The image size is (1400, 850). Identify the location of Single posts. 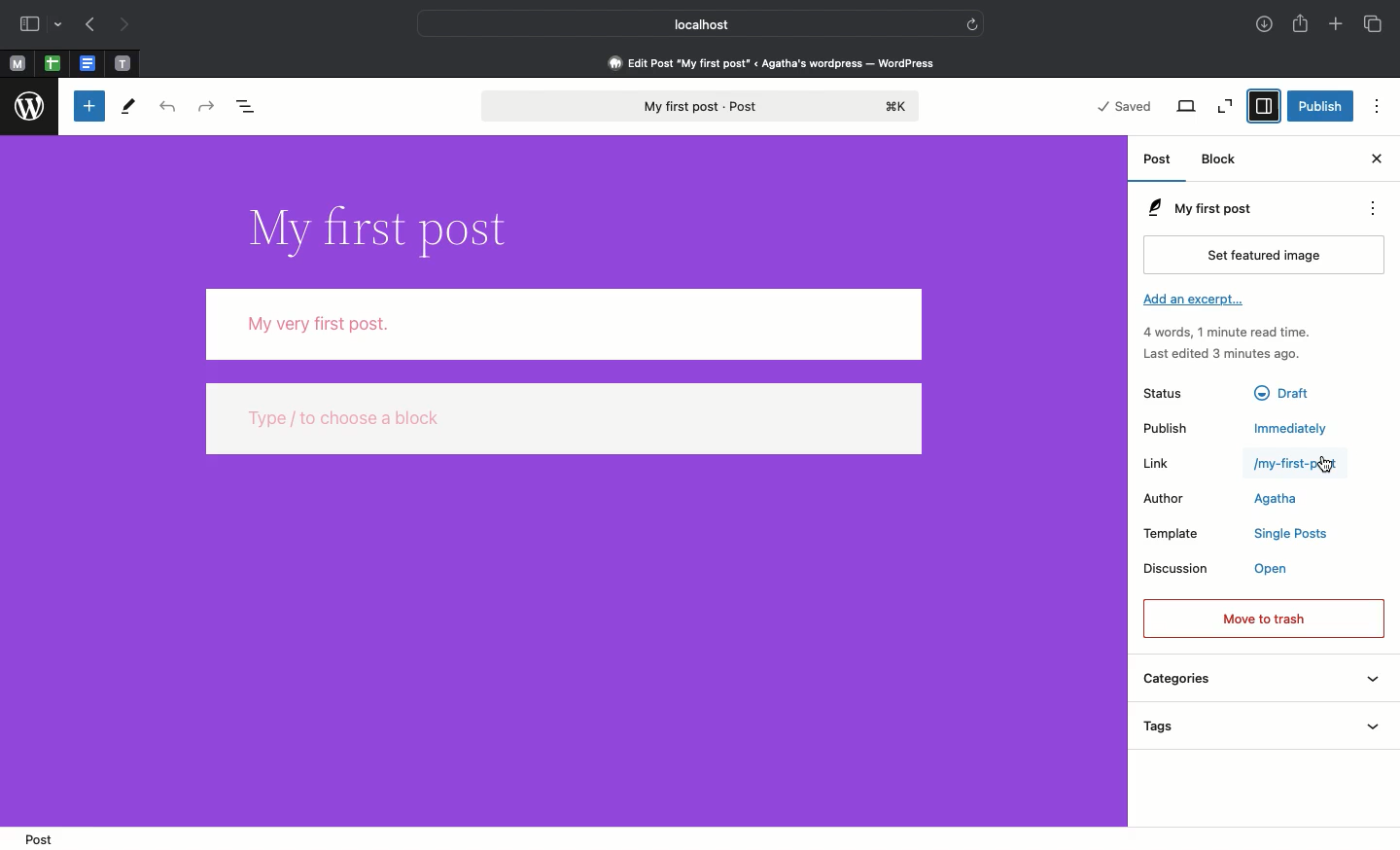
(1289, 533).